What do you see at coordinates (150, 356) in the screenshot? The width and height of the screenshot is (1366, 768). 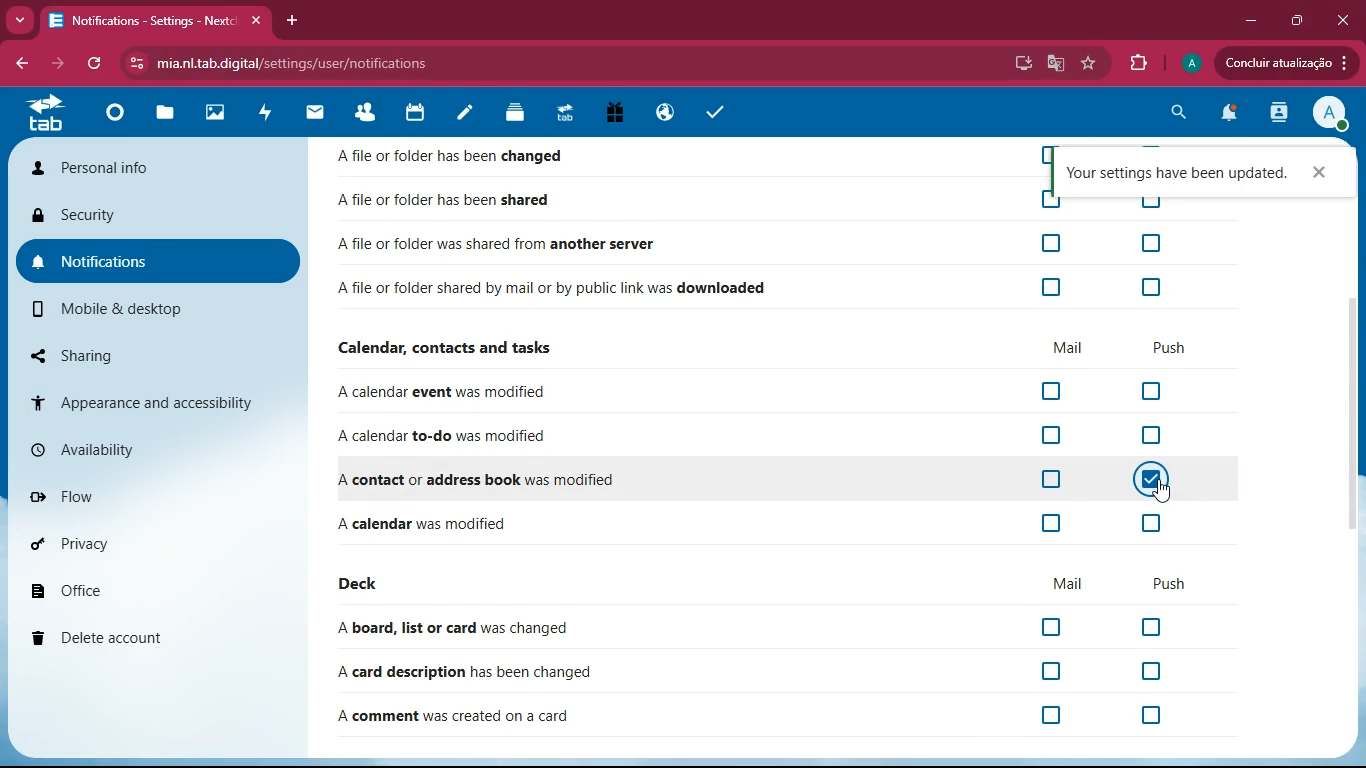 I see `sharing` at bounding box center [150, 356].